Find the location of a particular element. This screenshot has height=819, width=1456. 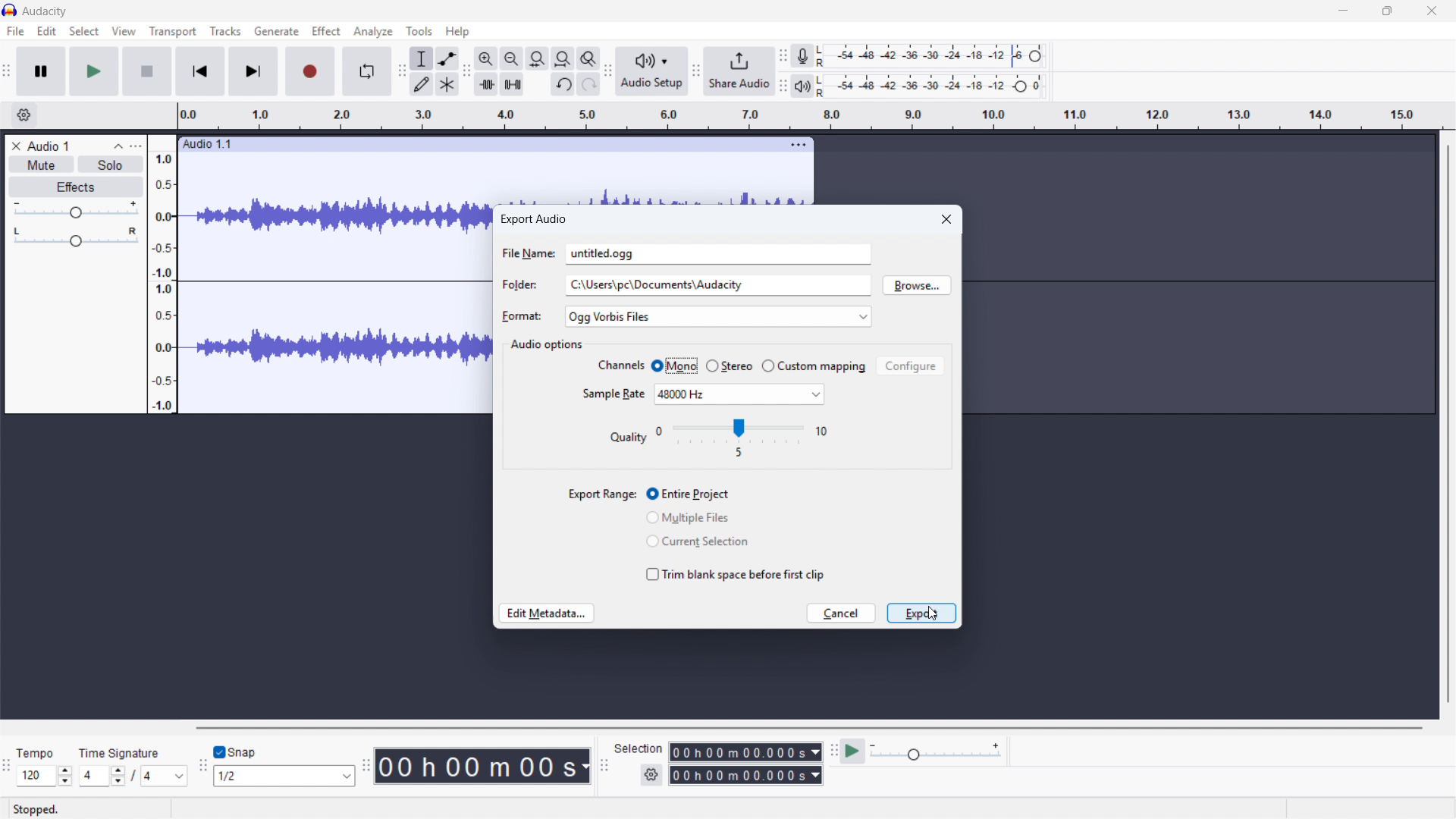

play  is located at coordinates (95, 72).